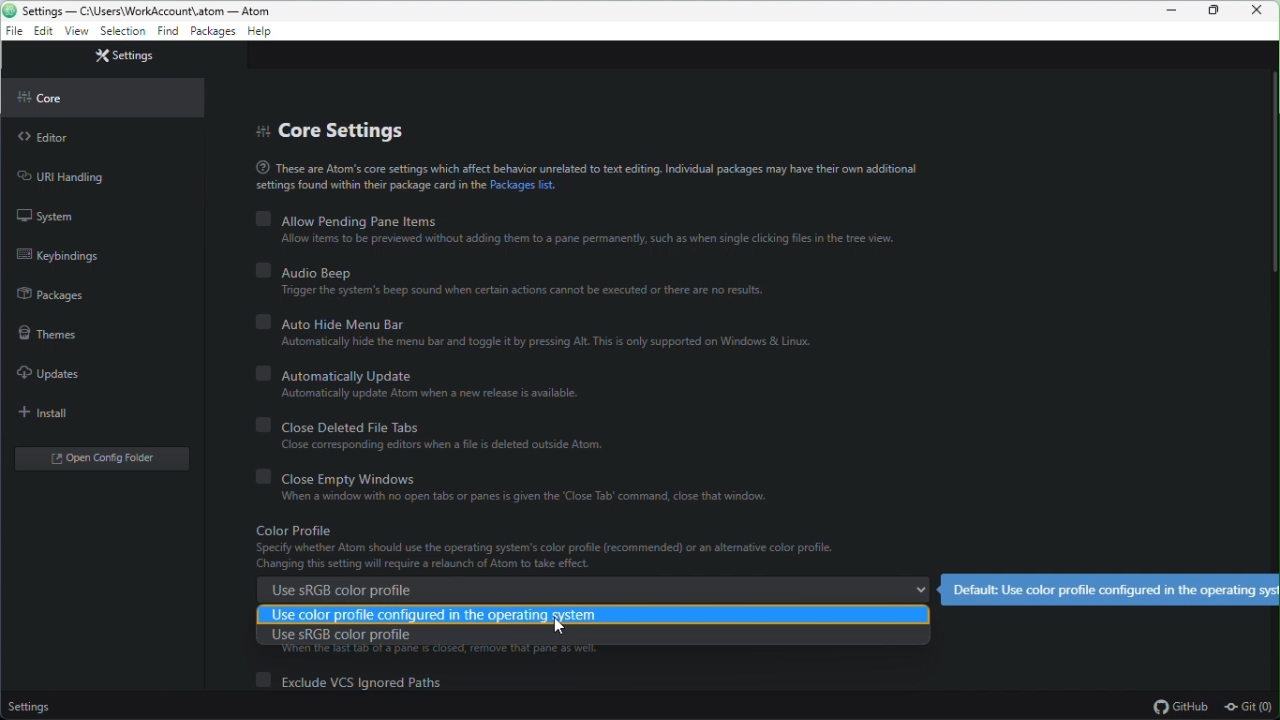 The height and width of the screenshot is (720, 1280). Describe the element at coordinates (594, 614) in the screenshot. I see `Use color profile configured in operating systemm` at that location.